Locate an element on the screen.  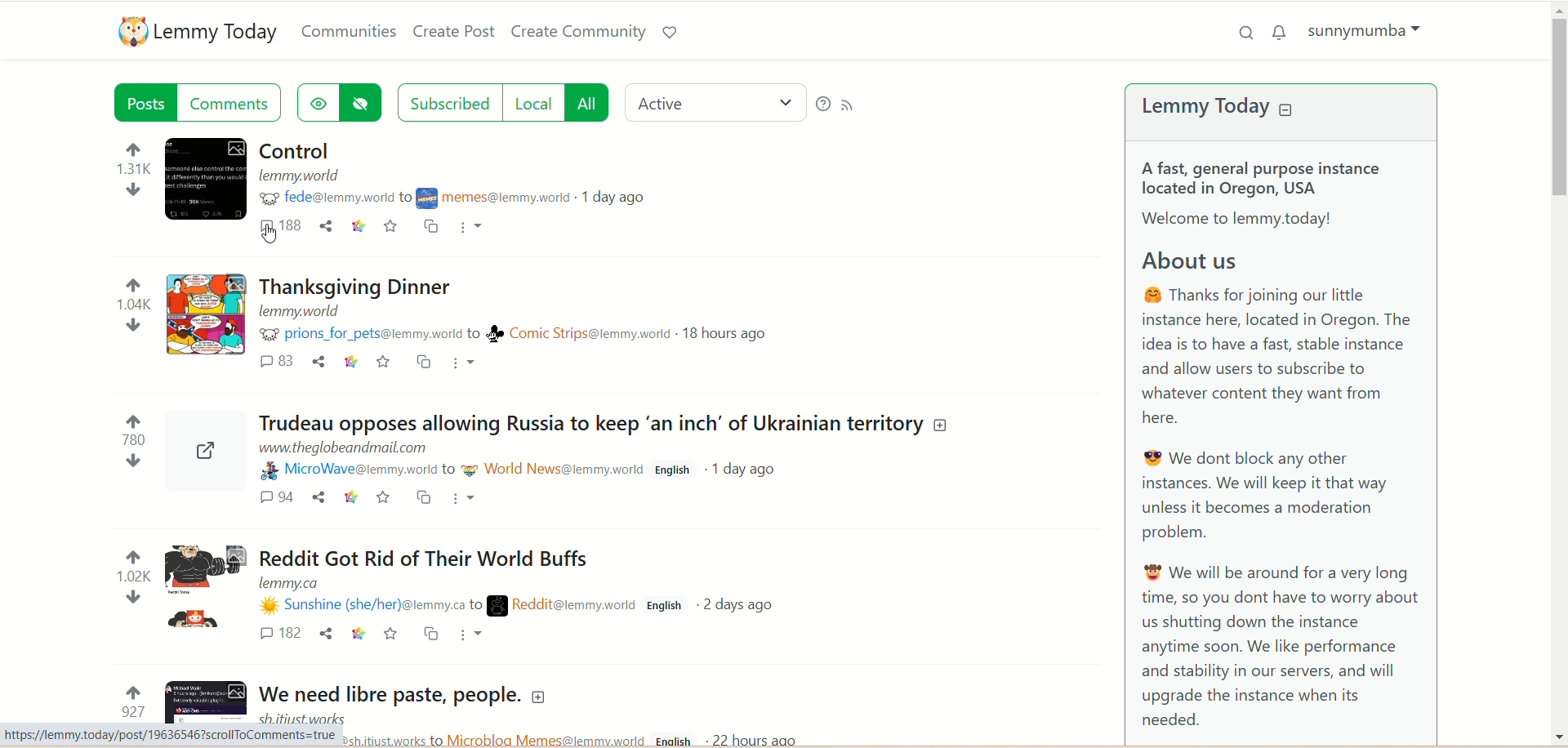
share is located at coordinates (325, 633).